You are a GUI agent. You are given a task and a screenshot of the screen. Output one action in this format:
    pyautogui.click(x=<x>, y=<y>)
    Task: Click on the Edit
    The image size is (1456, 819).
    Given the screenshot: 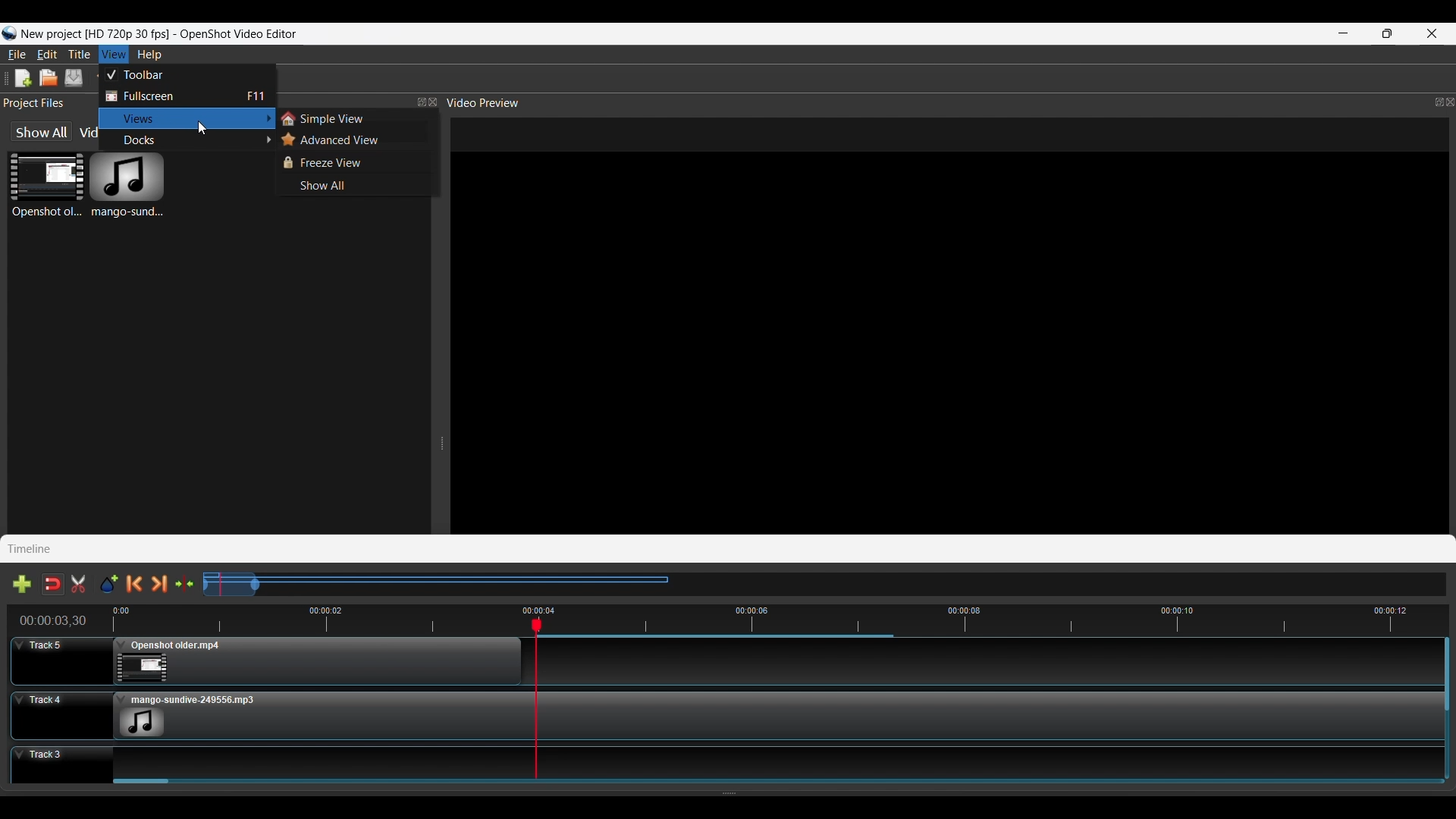 What is the action you would take?
    pyautogui.click(x=48, y=54)
    